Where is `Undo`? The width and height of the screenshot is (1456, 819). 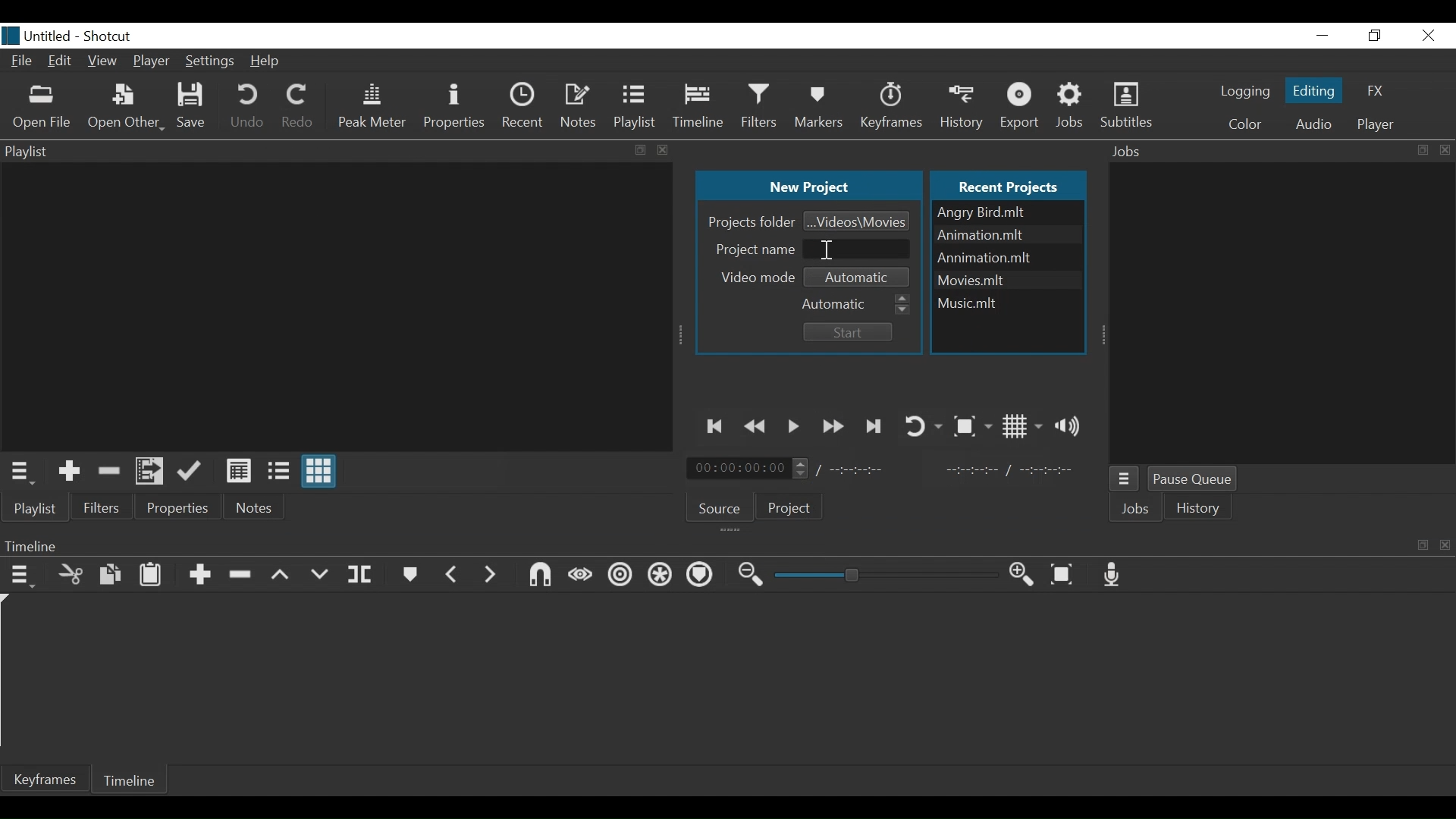
Undo is located at coordinates (247, 108).